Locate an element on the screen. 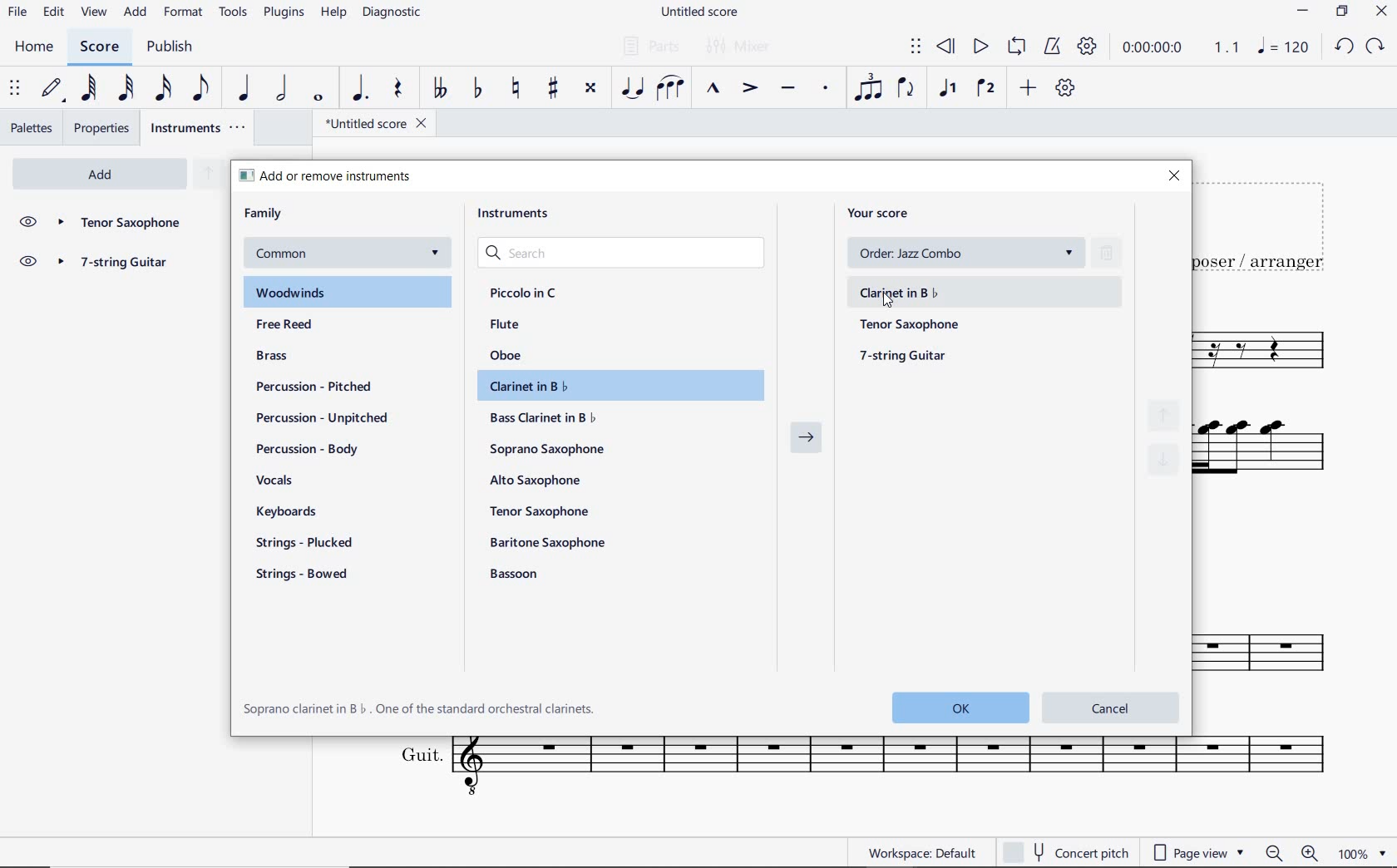 Image resolution: width=1397 pixels, height=868 pixels. SCORE is located at coordinates (97, 47).